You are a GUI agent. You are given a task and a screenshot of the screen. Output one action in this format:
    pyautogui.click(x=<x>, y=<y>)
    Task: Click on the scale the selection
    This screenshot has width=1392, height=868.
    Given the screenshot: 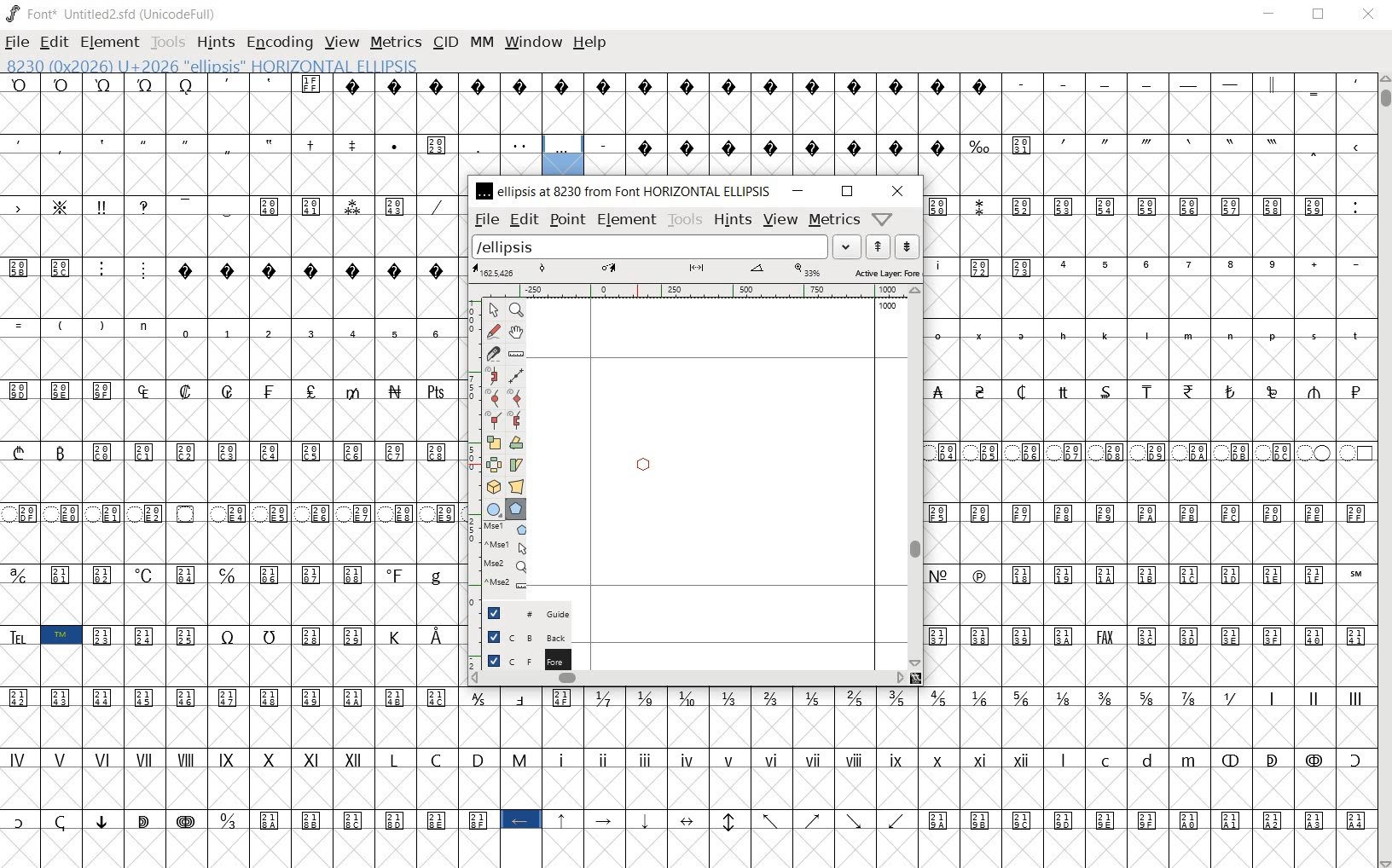 What is the action you would take?
    pyautogui.click(x=492, y=441)
    